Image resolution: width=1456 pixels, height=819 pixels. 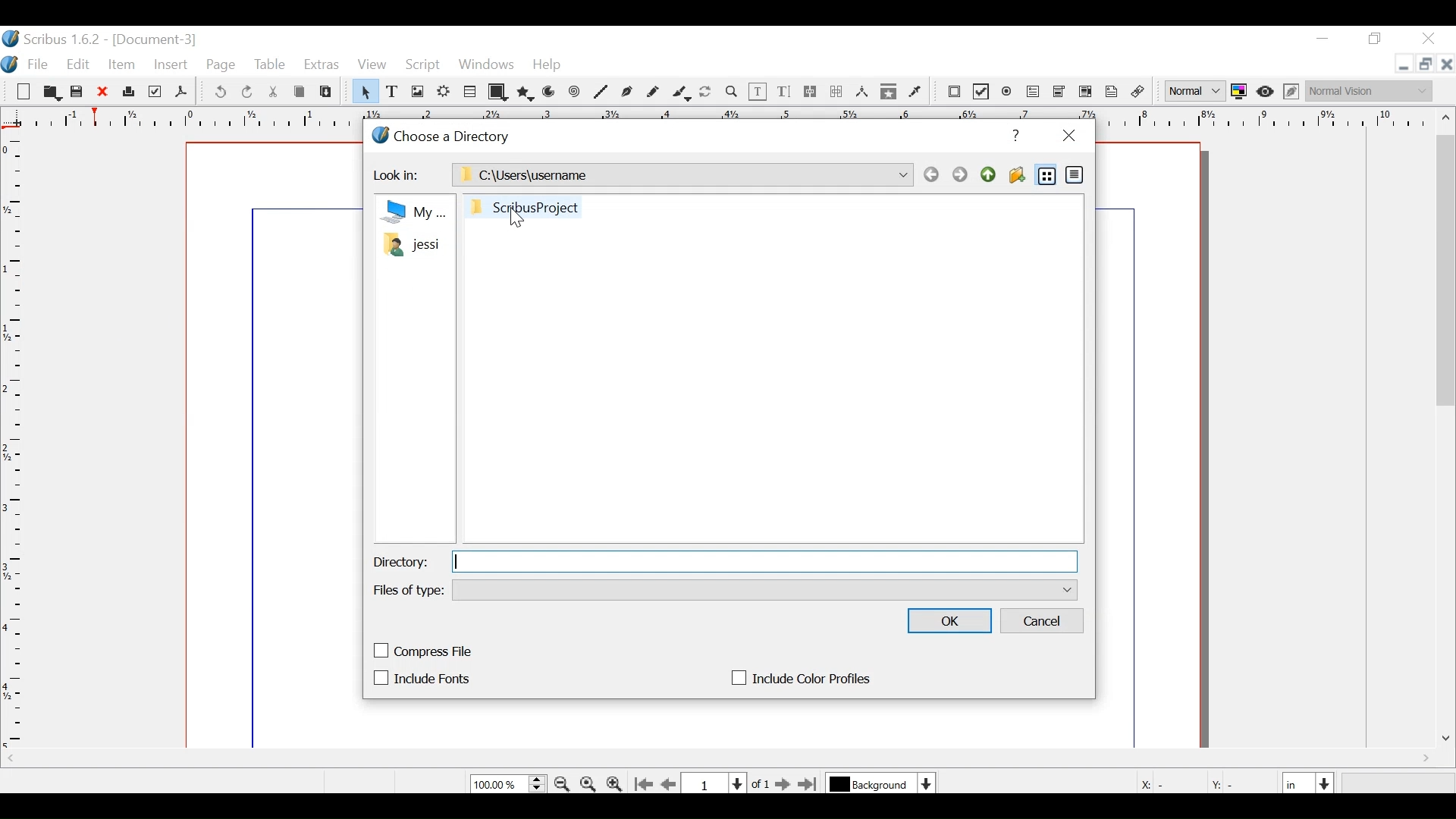 What do you see at coordinates (424, 67) in the screenshot?
I see `Script` at bounding box center [424, 67].